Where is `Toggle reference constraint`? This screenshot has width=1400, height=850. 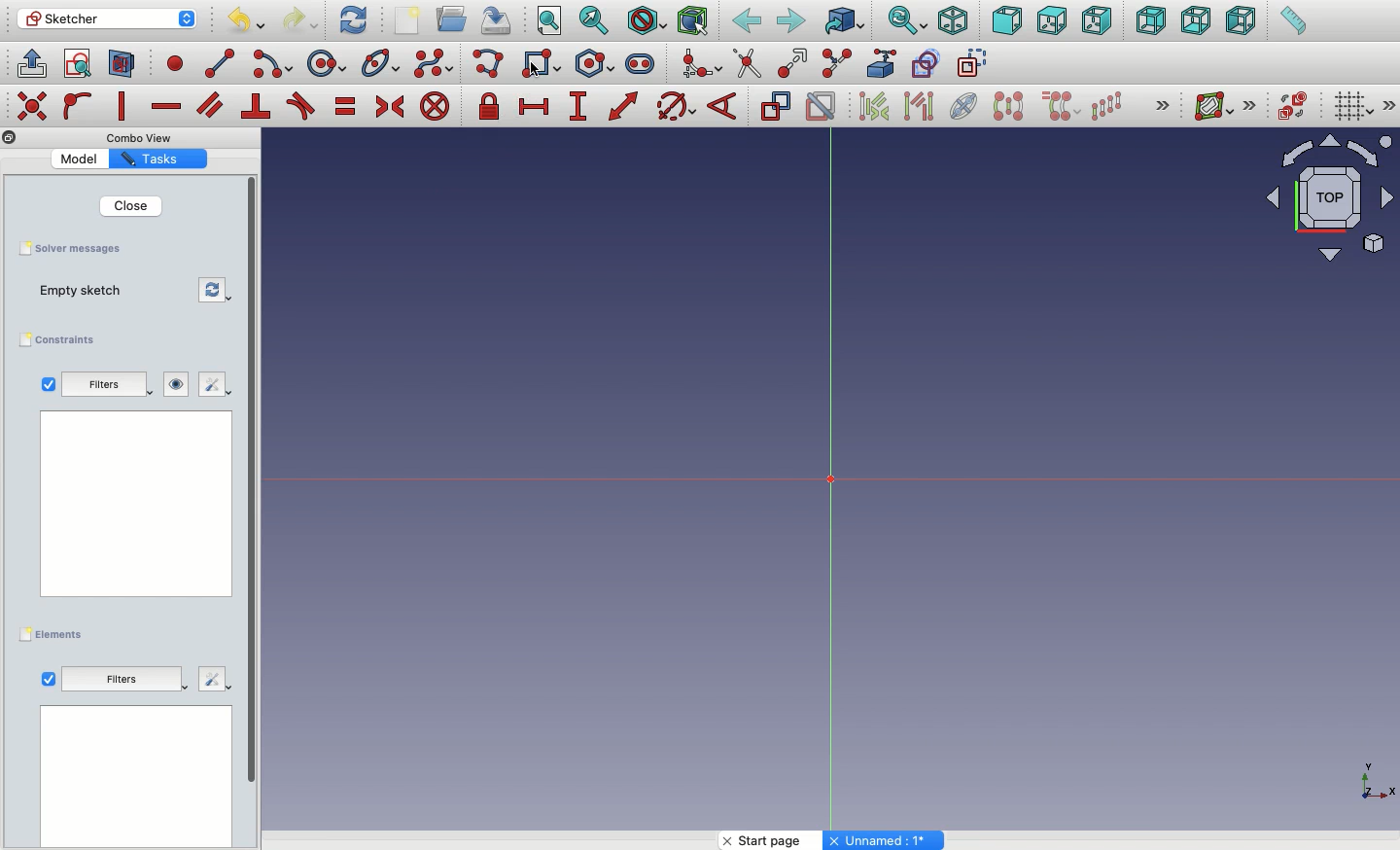 Toggle reference constraint is located at coordinates (775, 105).